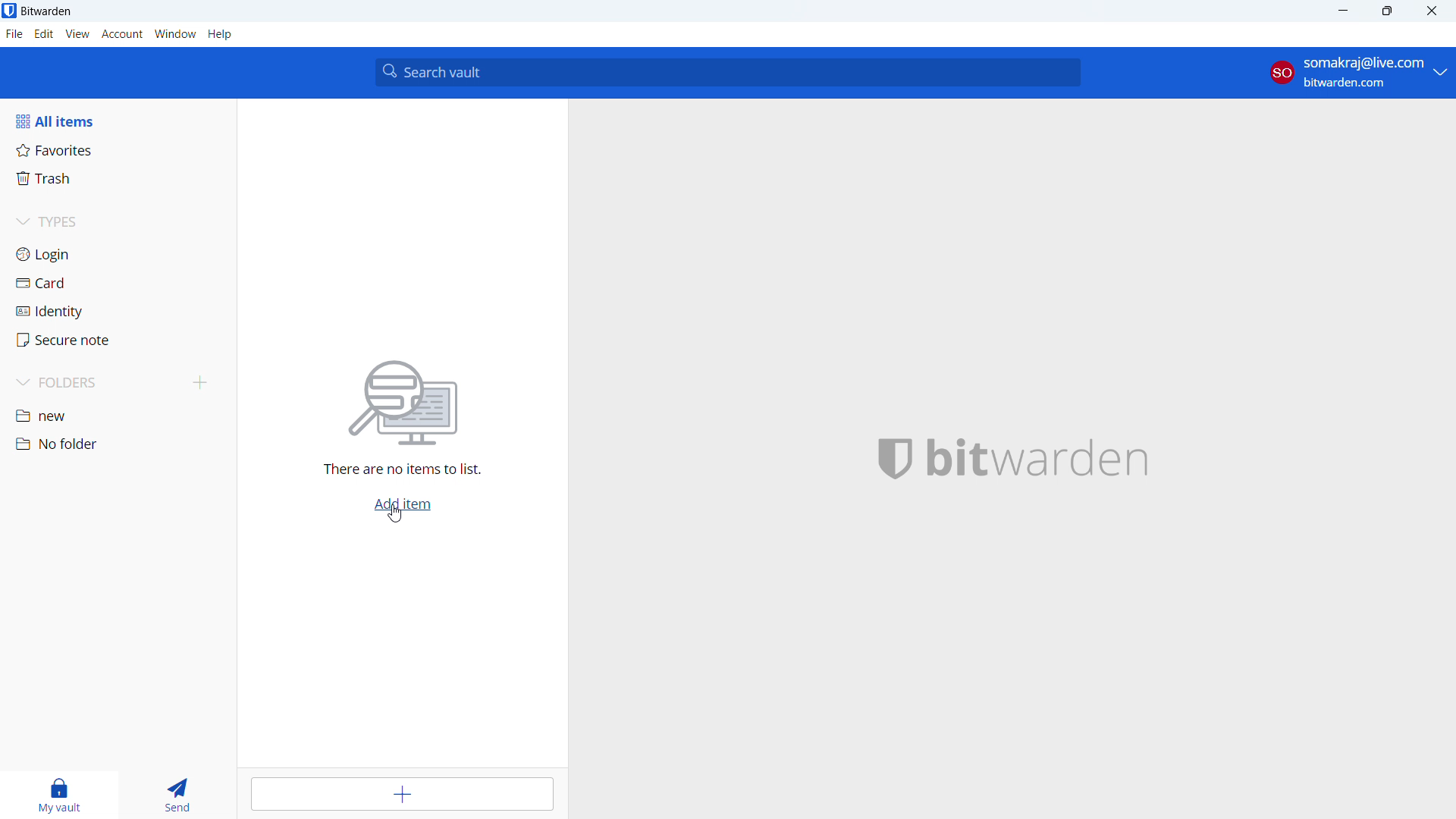 This screenshot has width=1456, height=819. Describe the element at coordinates (14, 34) in the screenshot. I see `file` at that location.